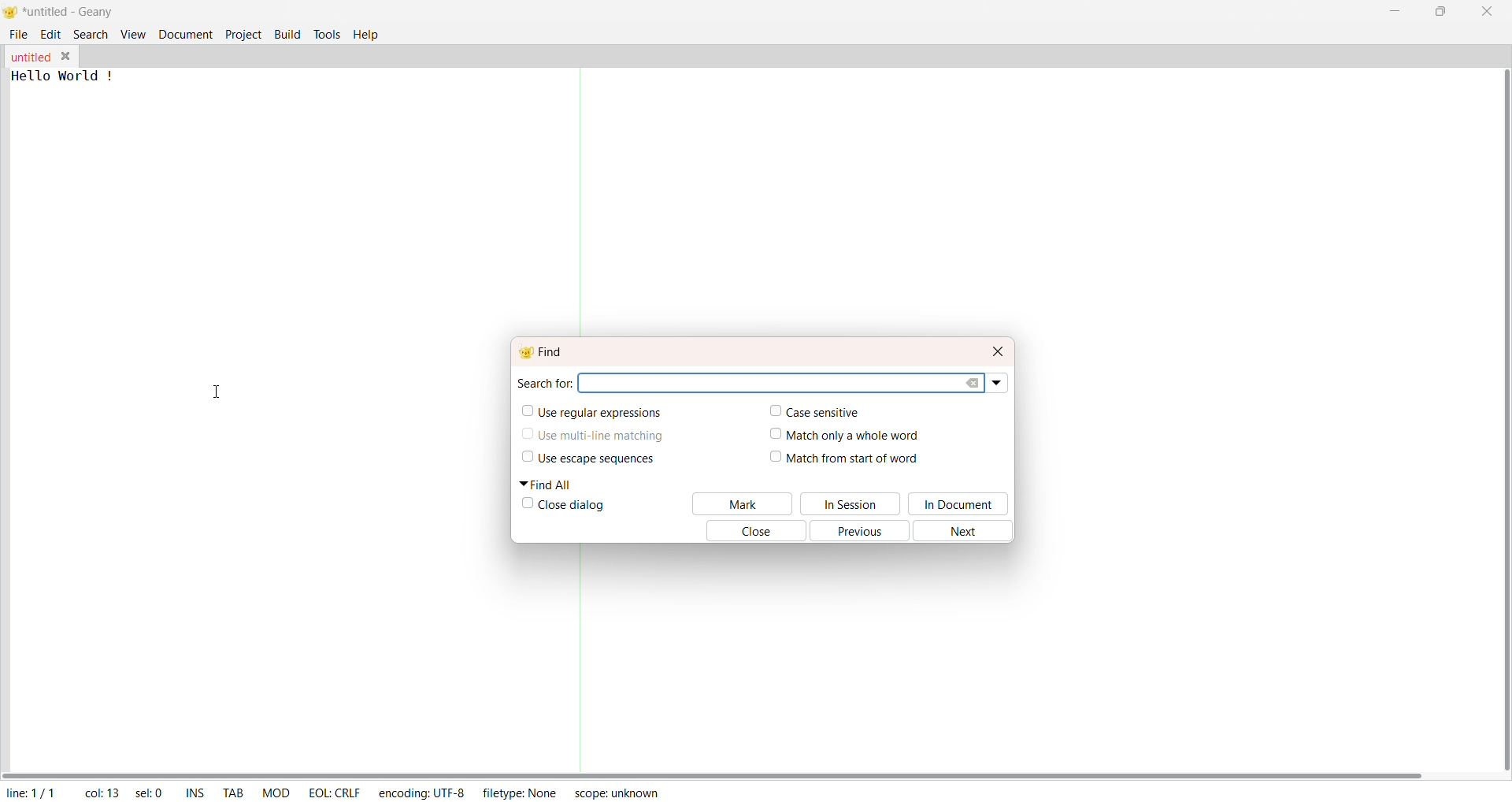  What do you see at coordinates (220, 394) in the screenshot?
I see `Cursor` at bounding box center [220, 394].